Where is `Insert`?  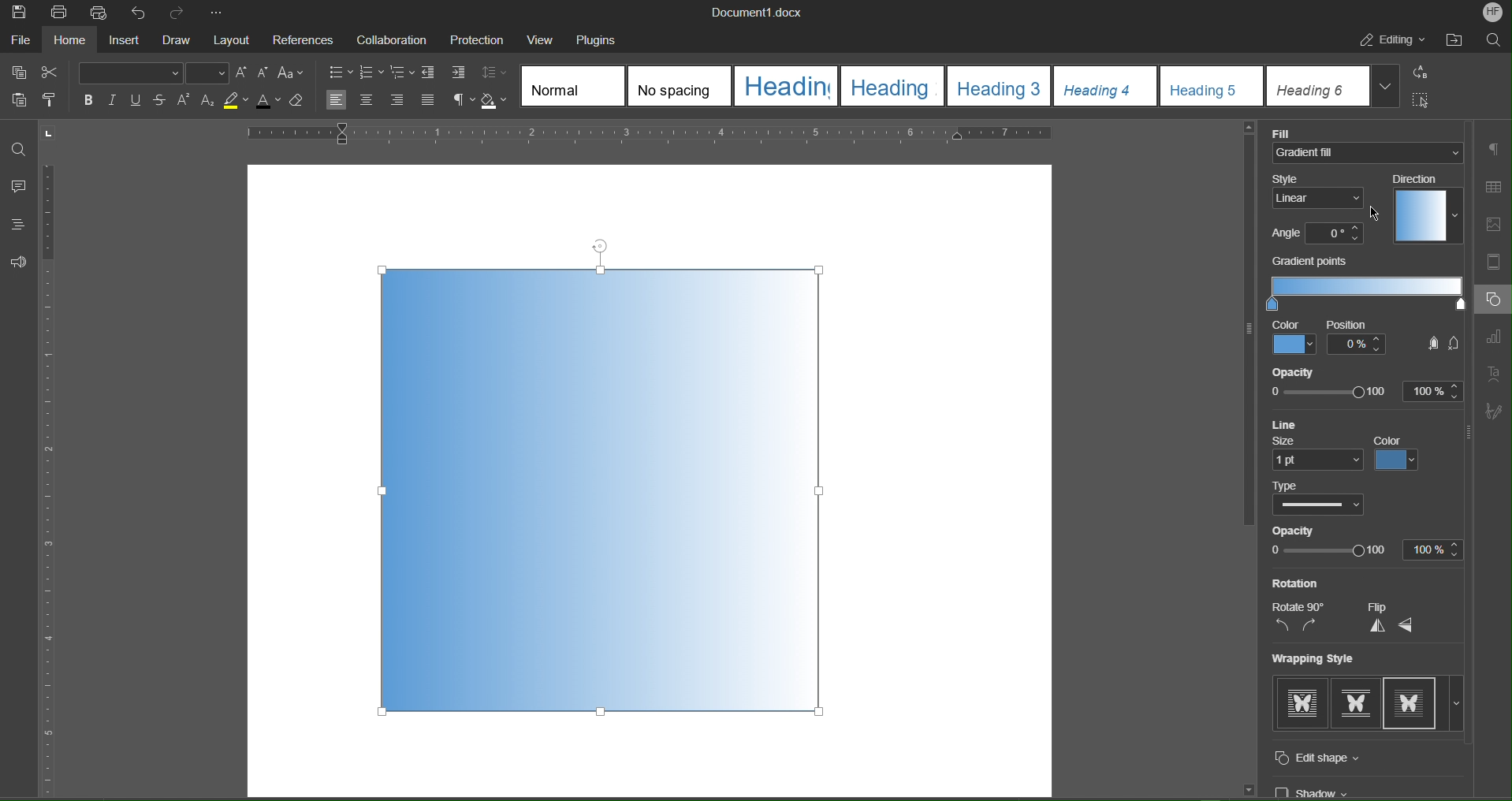 Insert is located at coordinates (123, 39).